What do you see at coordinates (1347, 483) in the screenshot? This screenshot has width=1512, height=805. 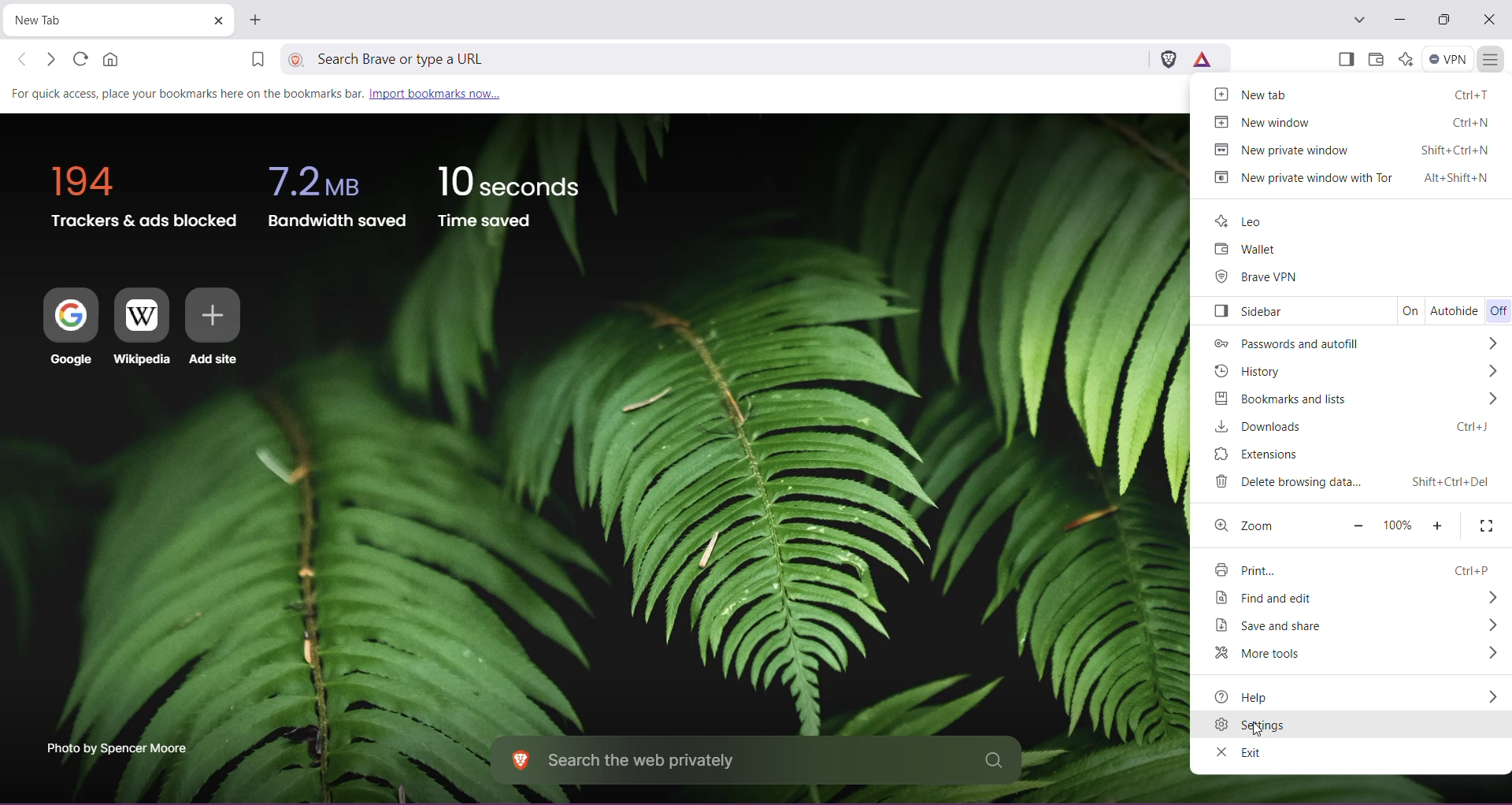 I see `Delete browsing data` at bounding box center [1347, 483].